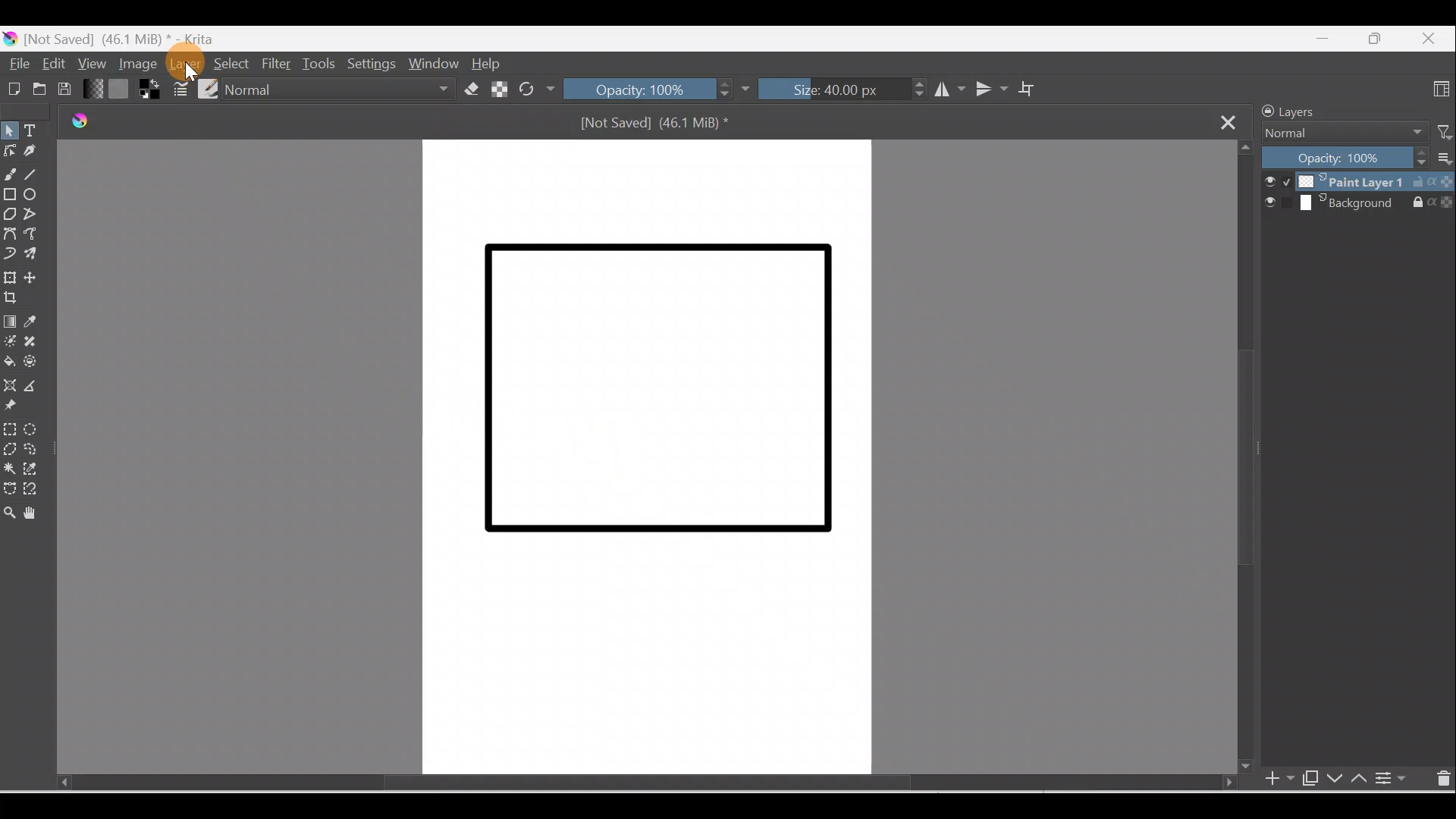  Describe the element at coordinates (1362, 780) in the screenshot. I see `Move layer/mask up` at that location.